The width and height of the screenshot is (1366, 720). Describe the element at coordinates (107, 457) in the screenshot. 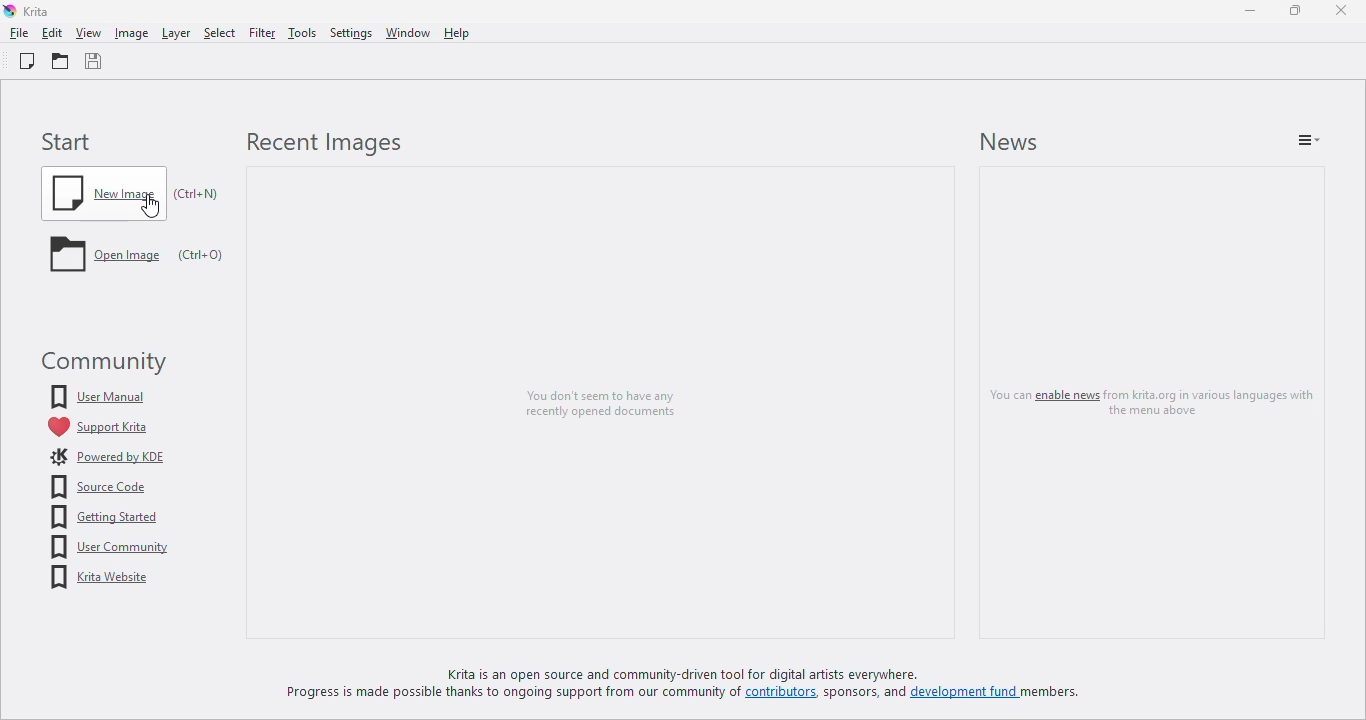

I see `powered by KDE` at that location.